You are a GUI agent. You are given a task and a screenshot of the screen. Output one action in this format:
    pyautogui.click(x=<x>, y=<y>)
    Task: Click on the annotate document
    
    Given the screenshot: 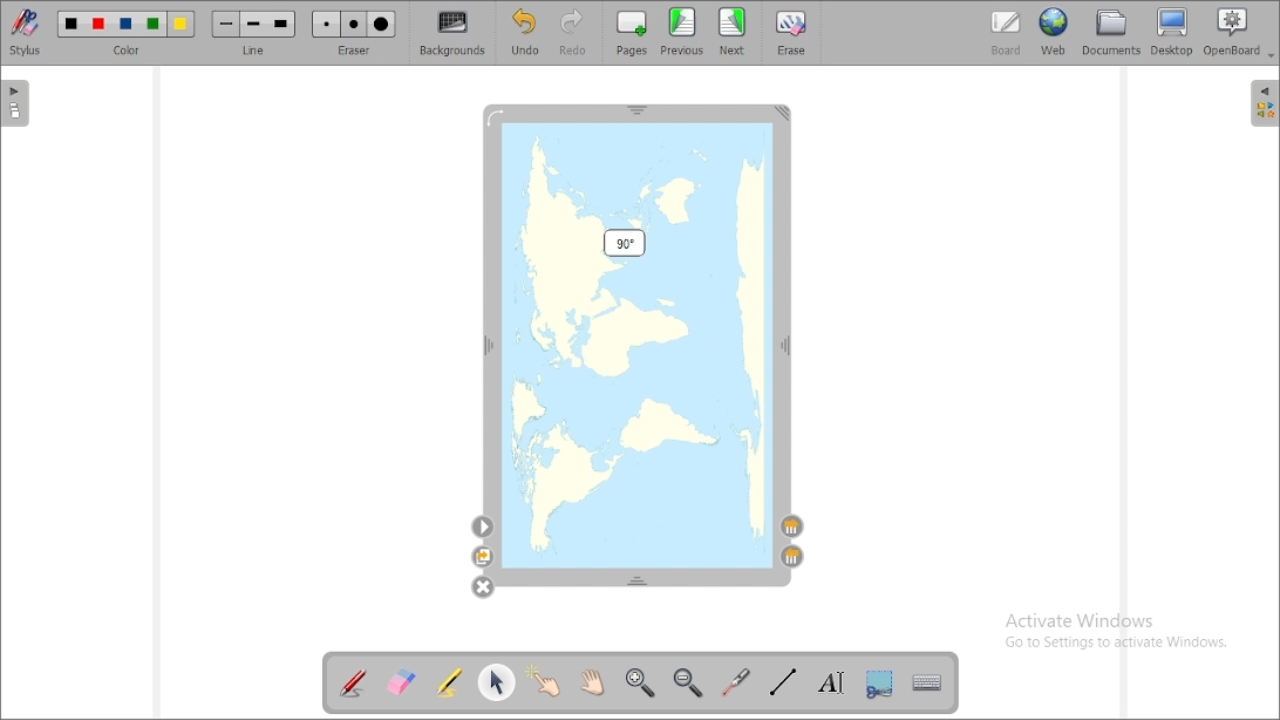 What is the action you would take?
    pyautogui.click(x=354, y=685)
    